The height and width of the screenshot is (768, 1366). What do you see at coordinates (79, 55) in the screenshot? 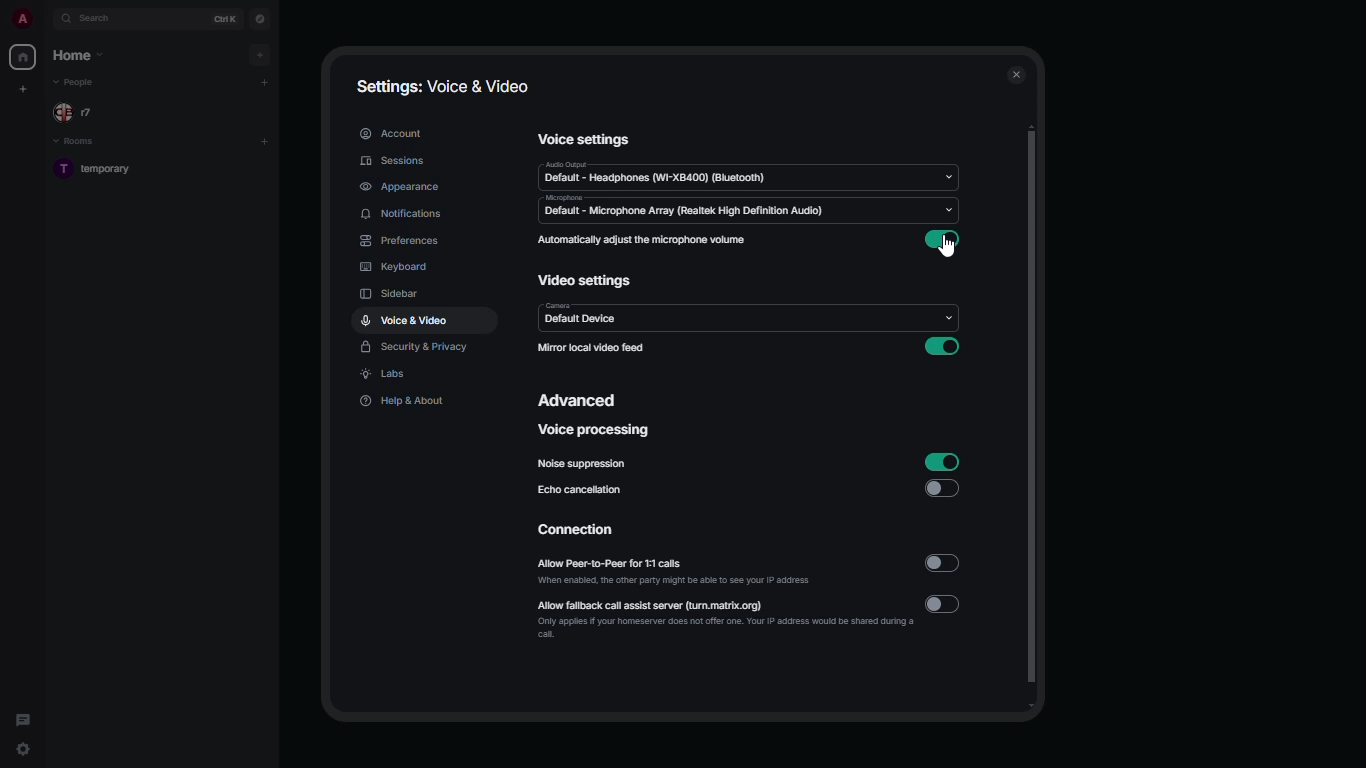
I see `home` at bounding box center [79, 55].